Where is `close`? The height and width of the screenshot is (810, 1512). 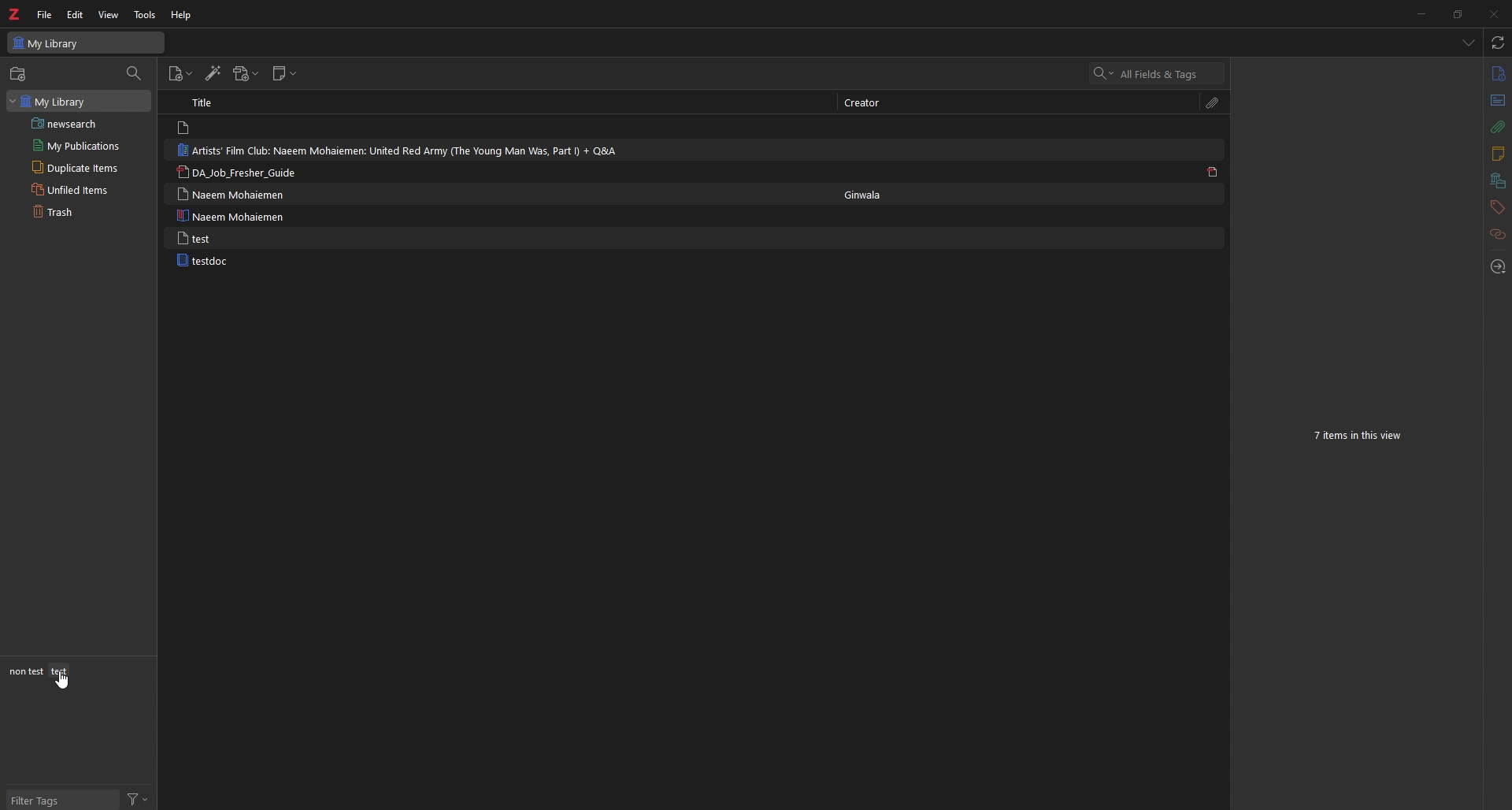
close is located at coordinates (1494, 13).